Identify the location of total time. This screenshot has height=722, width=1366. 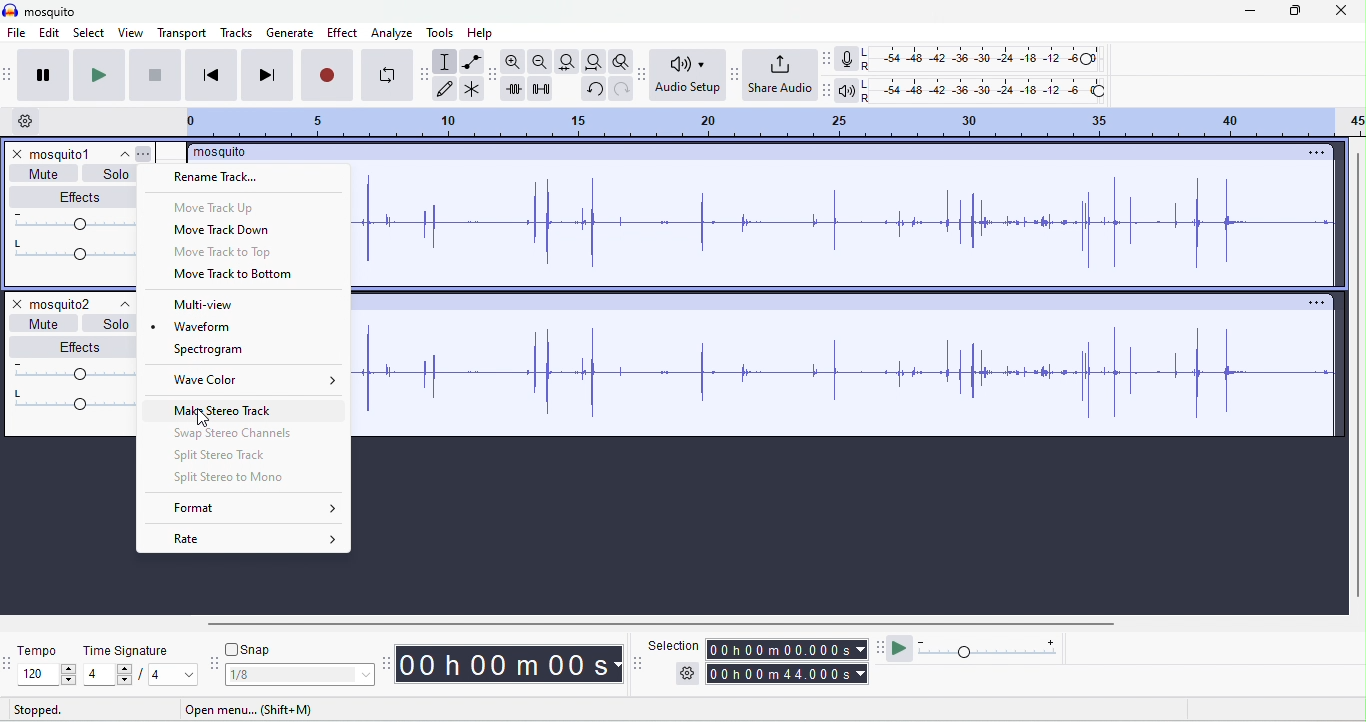
(789, 675).